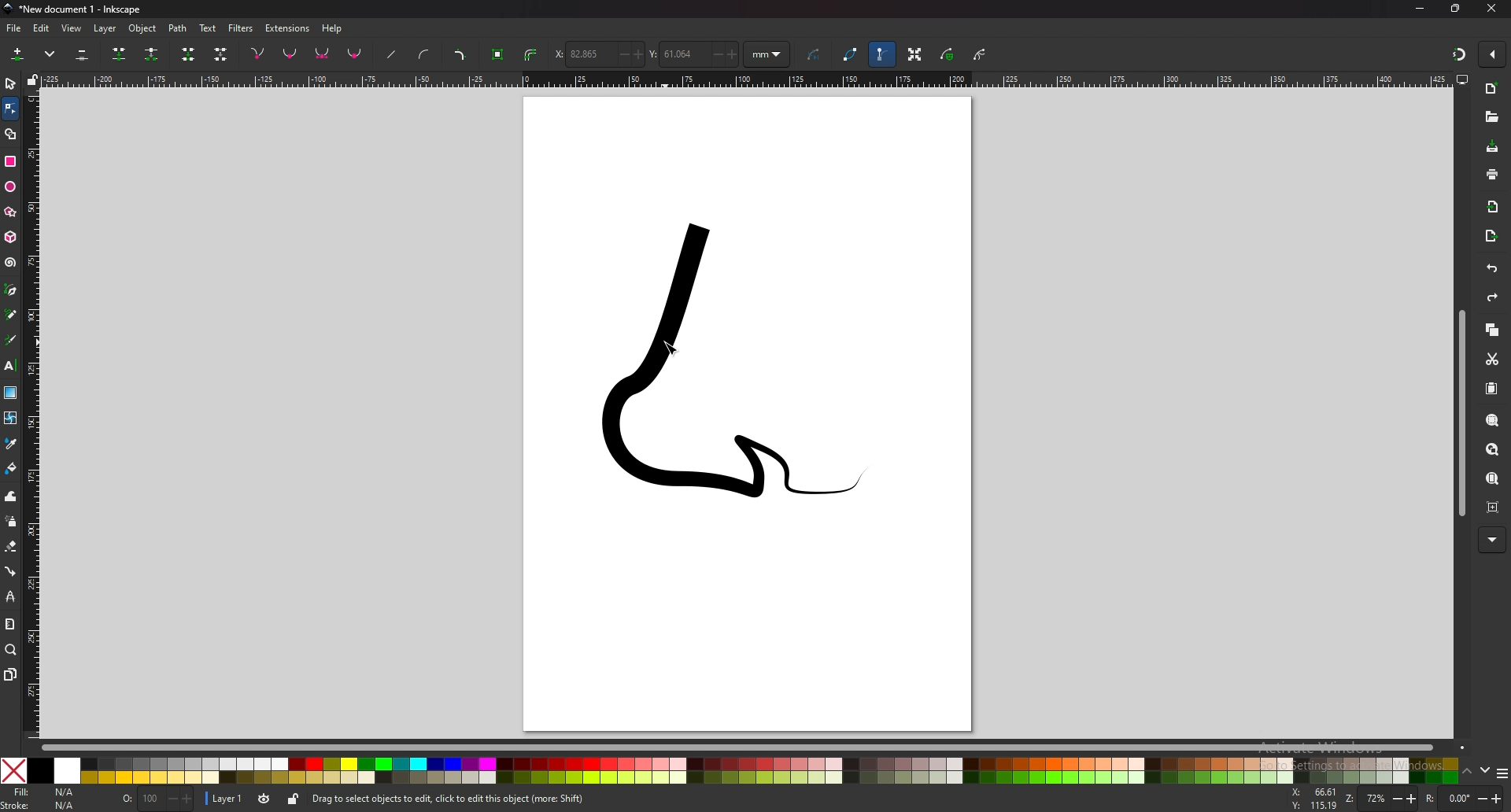  I want to click on path, so click(179, 28).